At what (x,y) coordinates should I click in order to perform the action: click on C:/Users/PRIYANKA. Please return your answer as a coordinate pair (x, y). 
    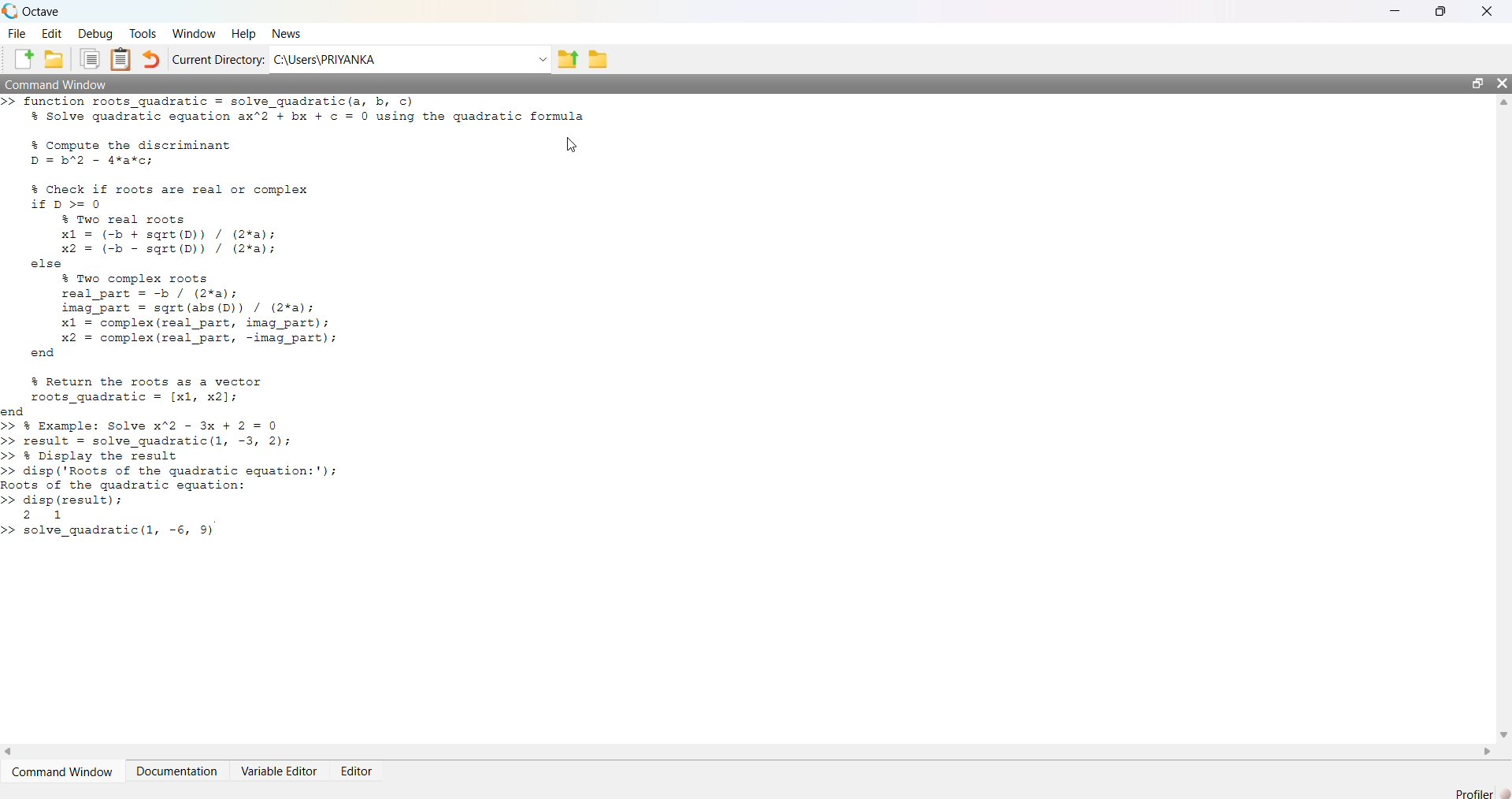
    Looking at the image, I should click on (401, 58).